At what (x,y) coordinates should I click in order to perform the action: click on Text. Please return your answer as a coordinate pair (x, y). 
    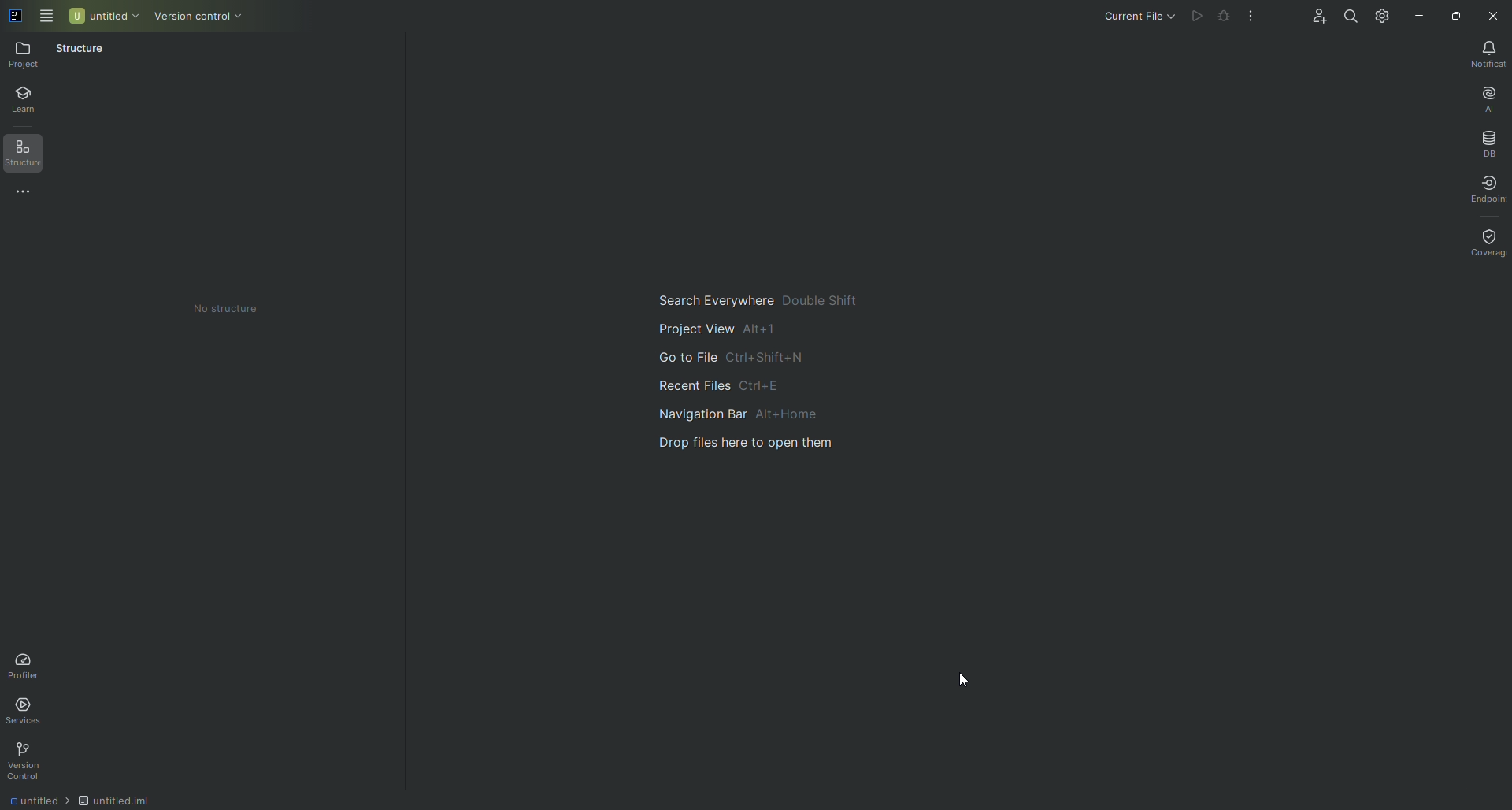
    Looking at the image, I should click on (224, 307).